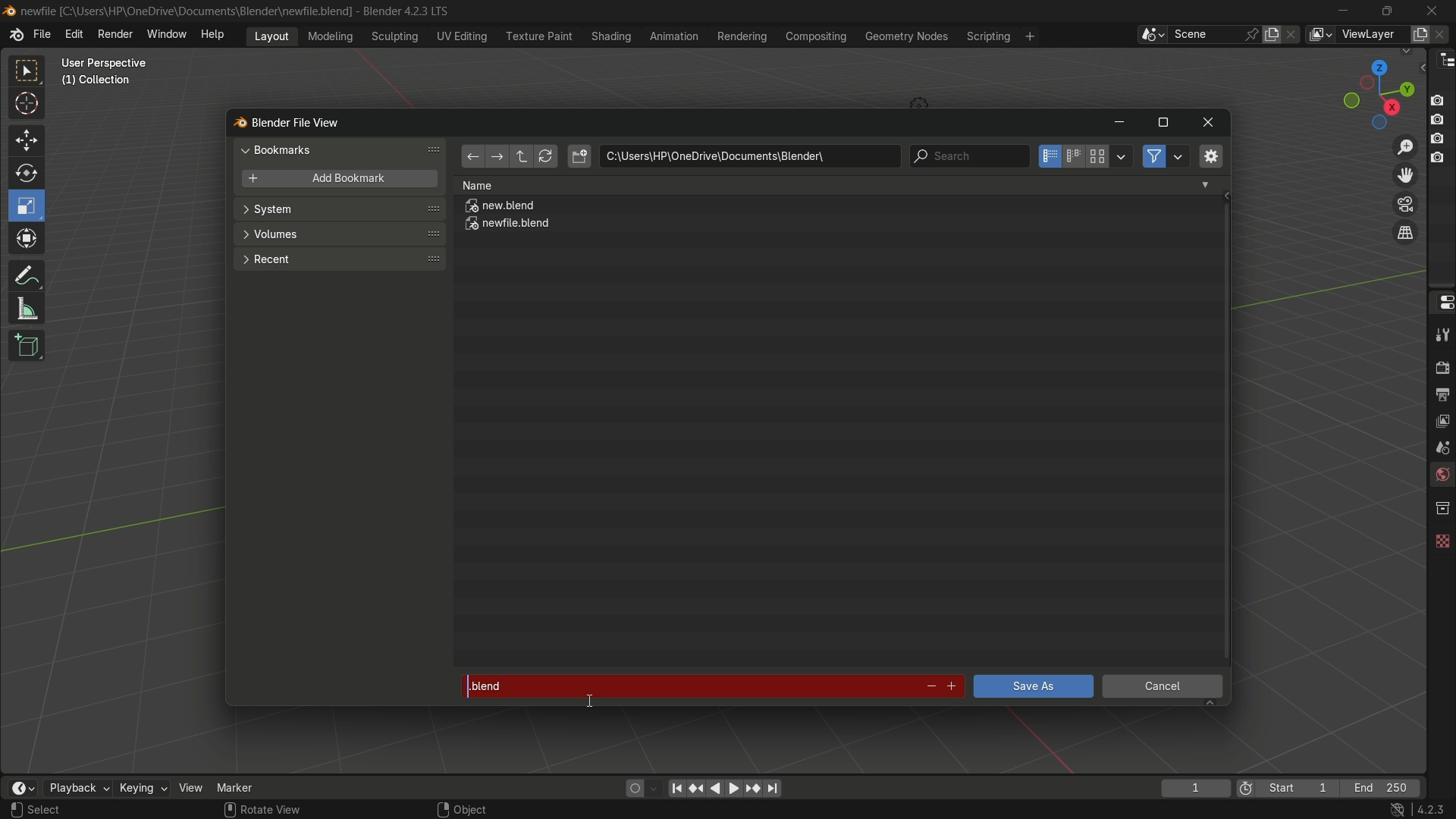 This screenshot has height=819, width=1456. I want to click on remove view layer, so click(1443, 33).